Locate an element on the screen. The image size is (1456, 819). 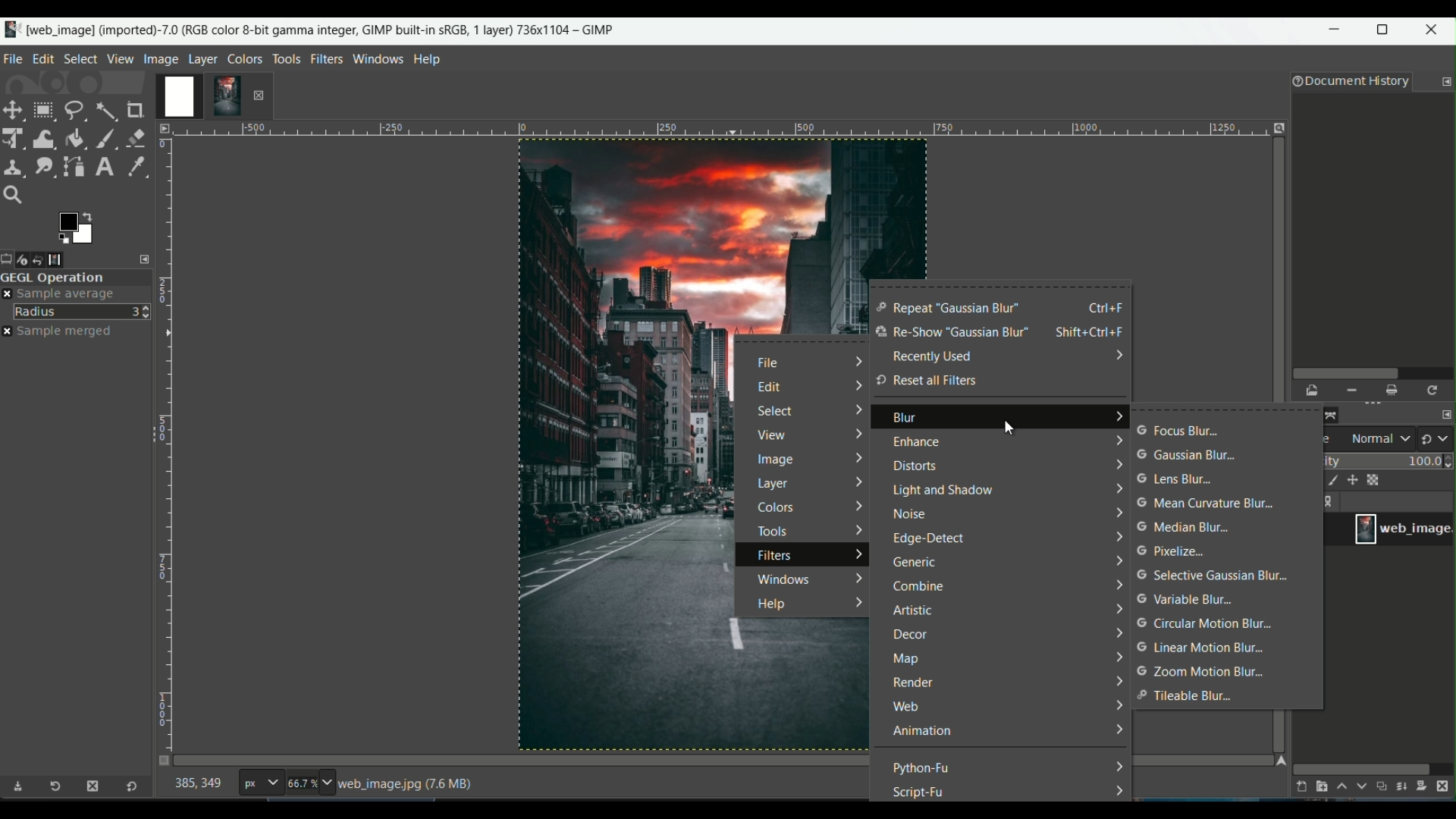
guassian blur is located at coordinates (1188, 456).